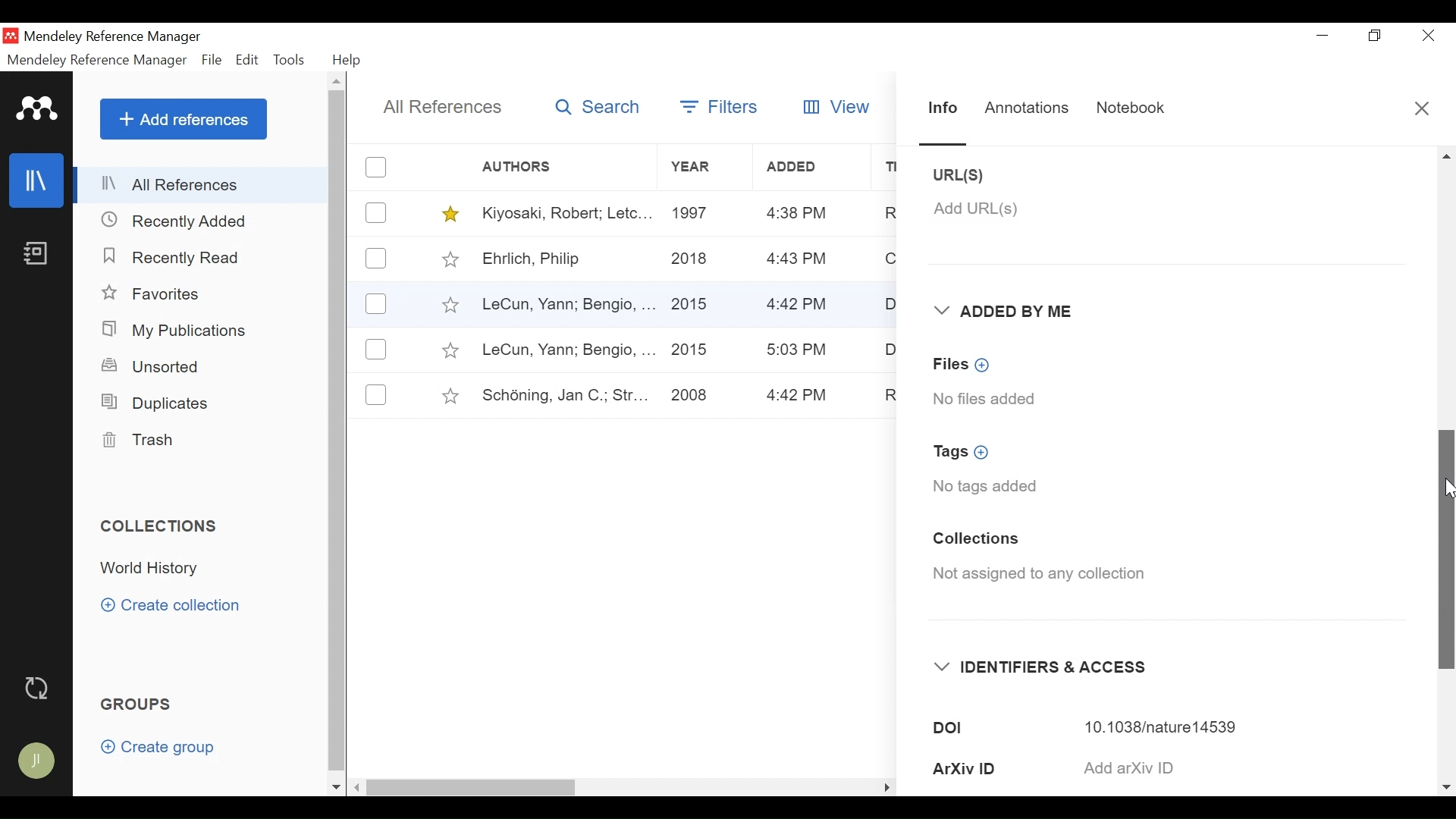 This screenshot has height=819, width=1456. Describe the element at coordinates (162, 295) in the screenshot. I see `Favorites` at that location.